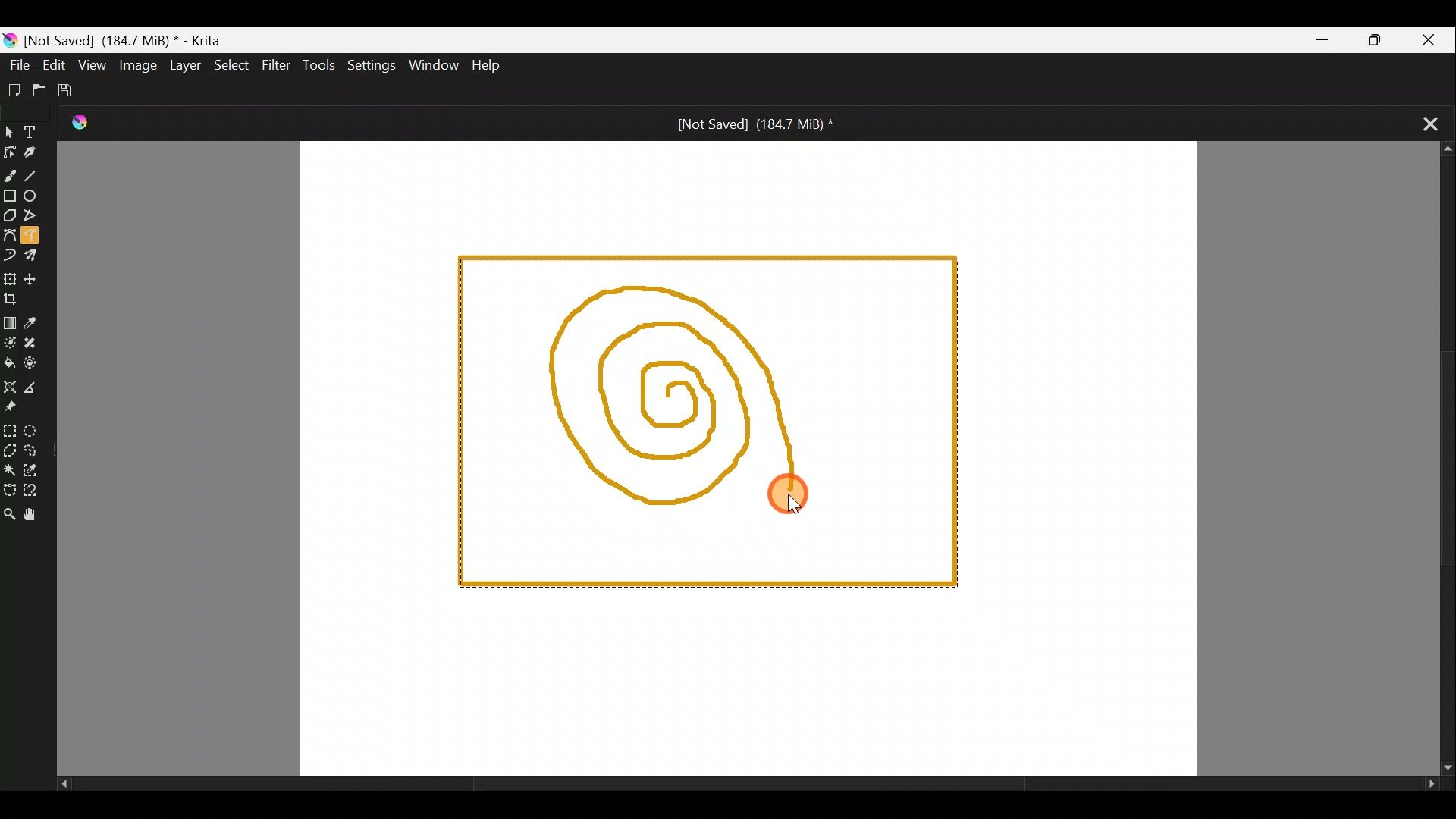  I want to click on Magnetic curve selection tool, so click(35, 492).